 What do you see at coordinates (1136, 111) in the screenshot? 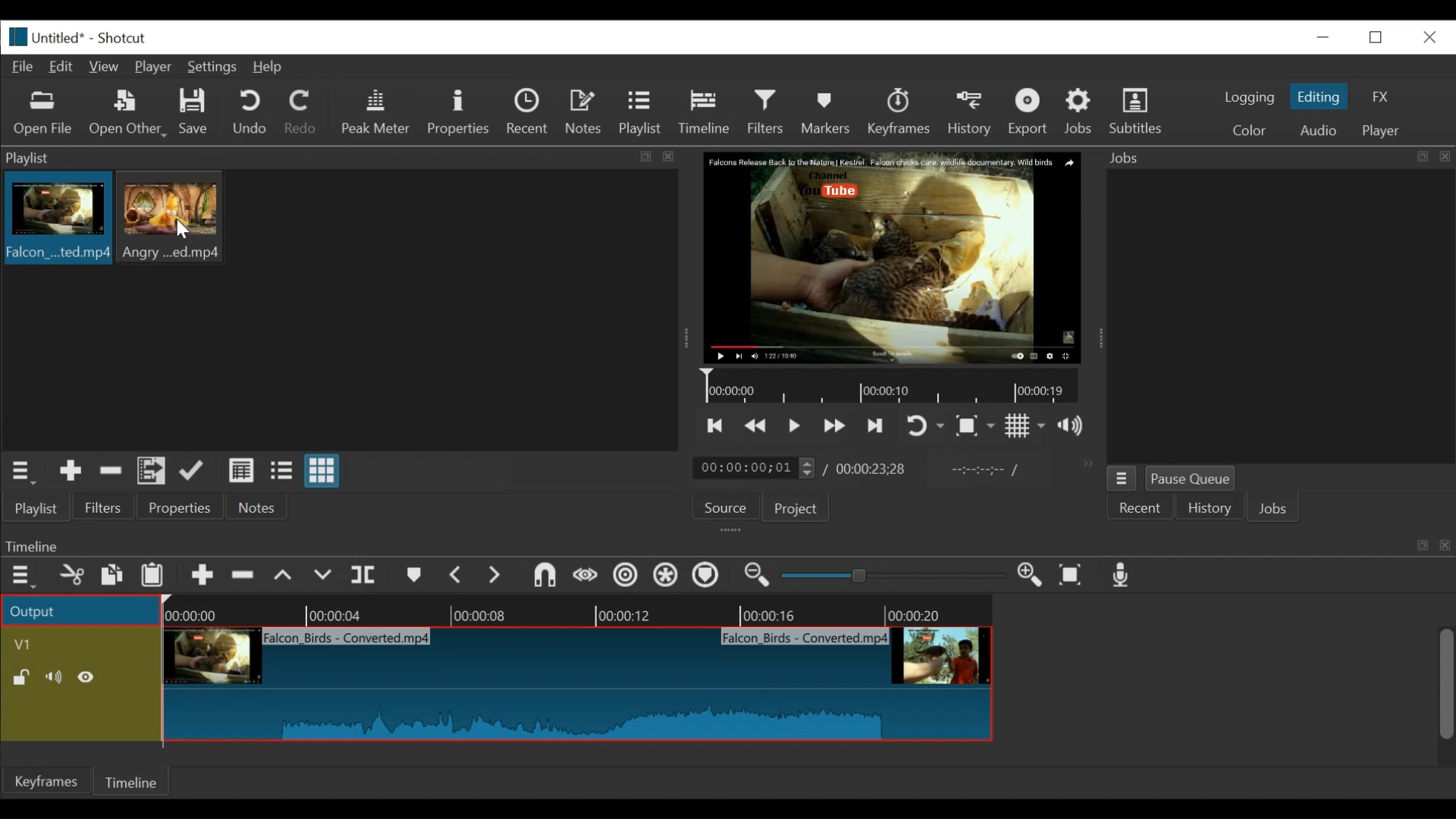
I see `Subtitles` at bounding box center [1136, 111].